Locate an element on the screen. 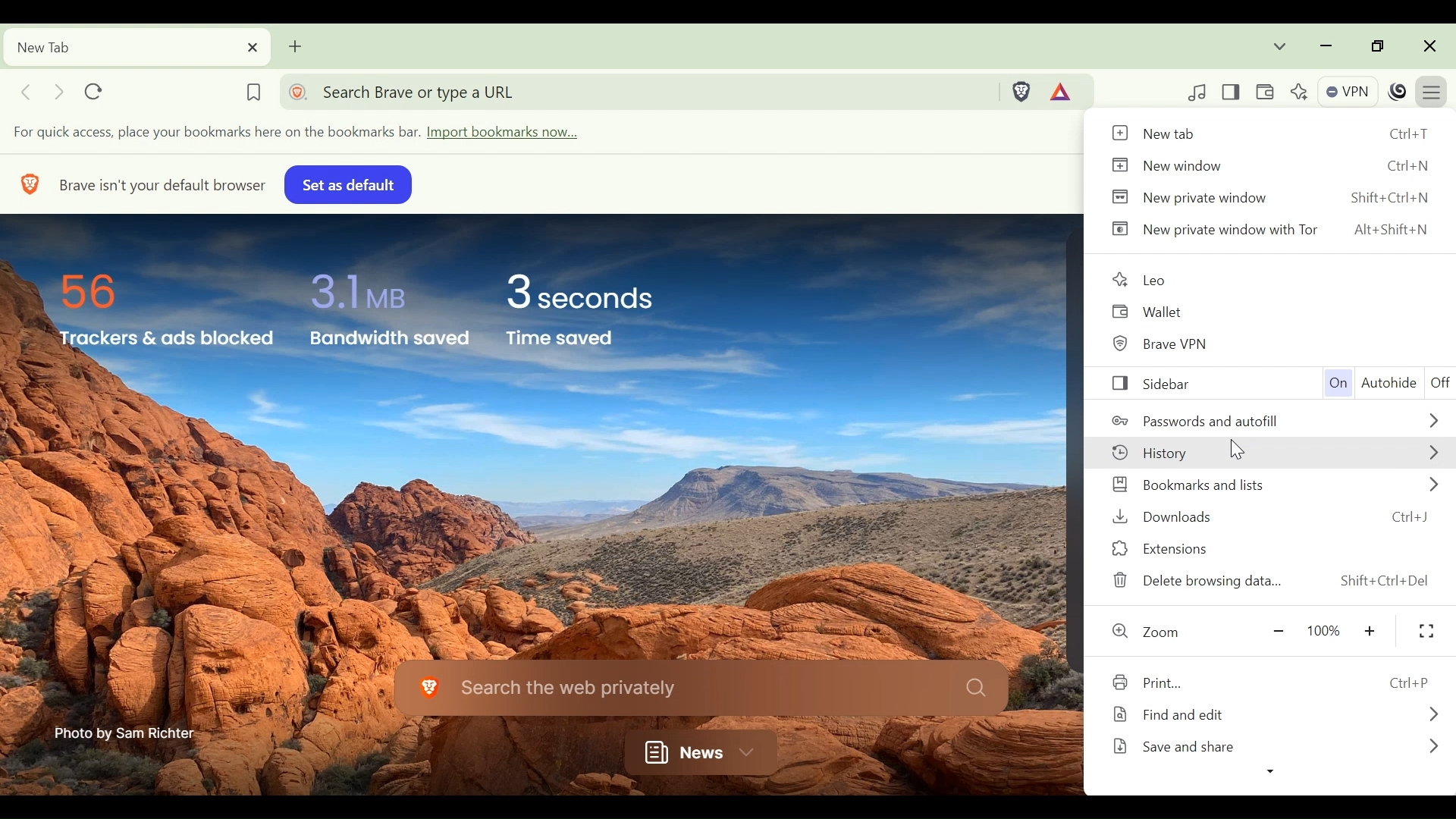 The image size is (1456, 819). 3 seconds is located at coordinates (591, 292).